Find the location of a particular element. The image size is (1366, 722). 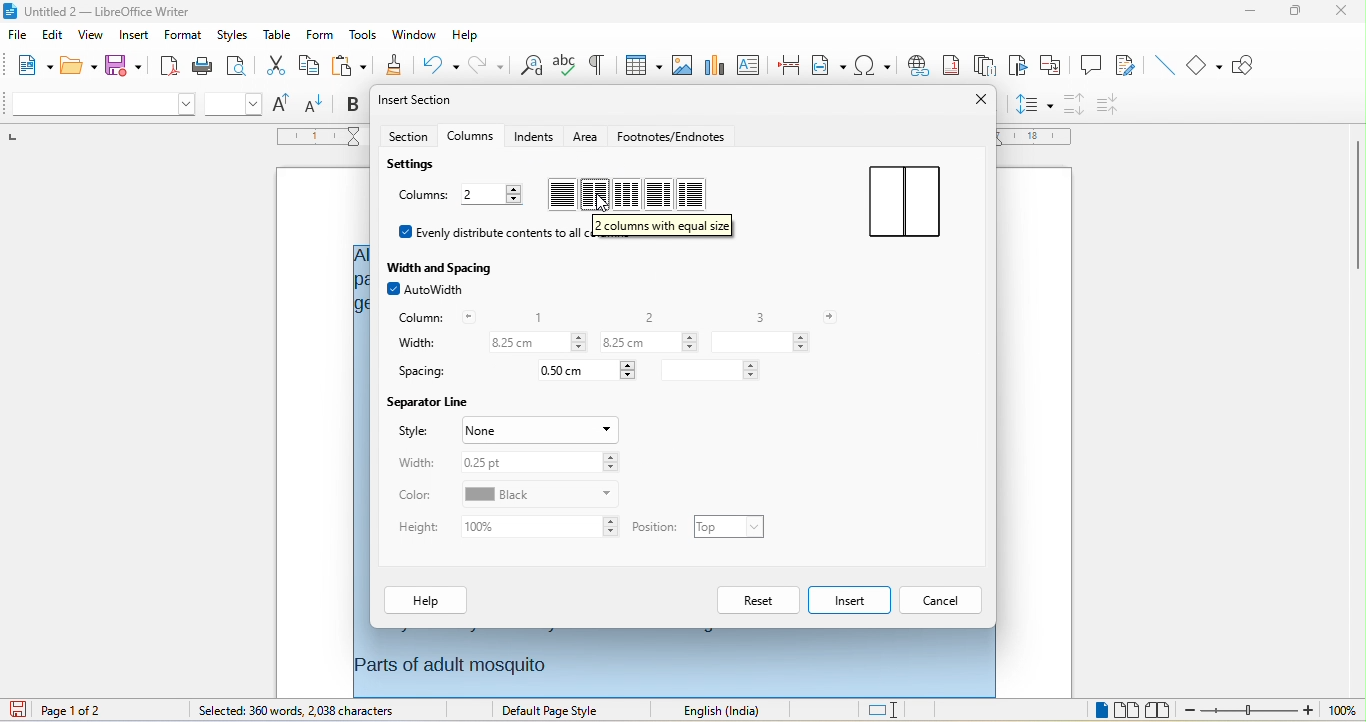

show track is located at coordinates (1132, 66).